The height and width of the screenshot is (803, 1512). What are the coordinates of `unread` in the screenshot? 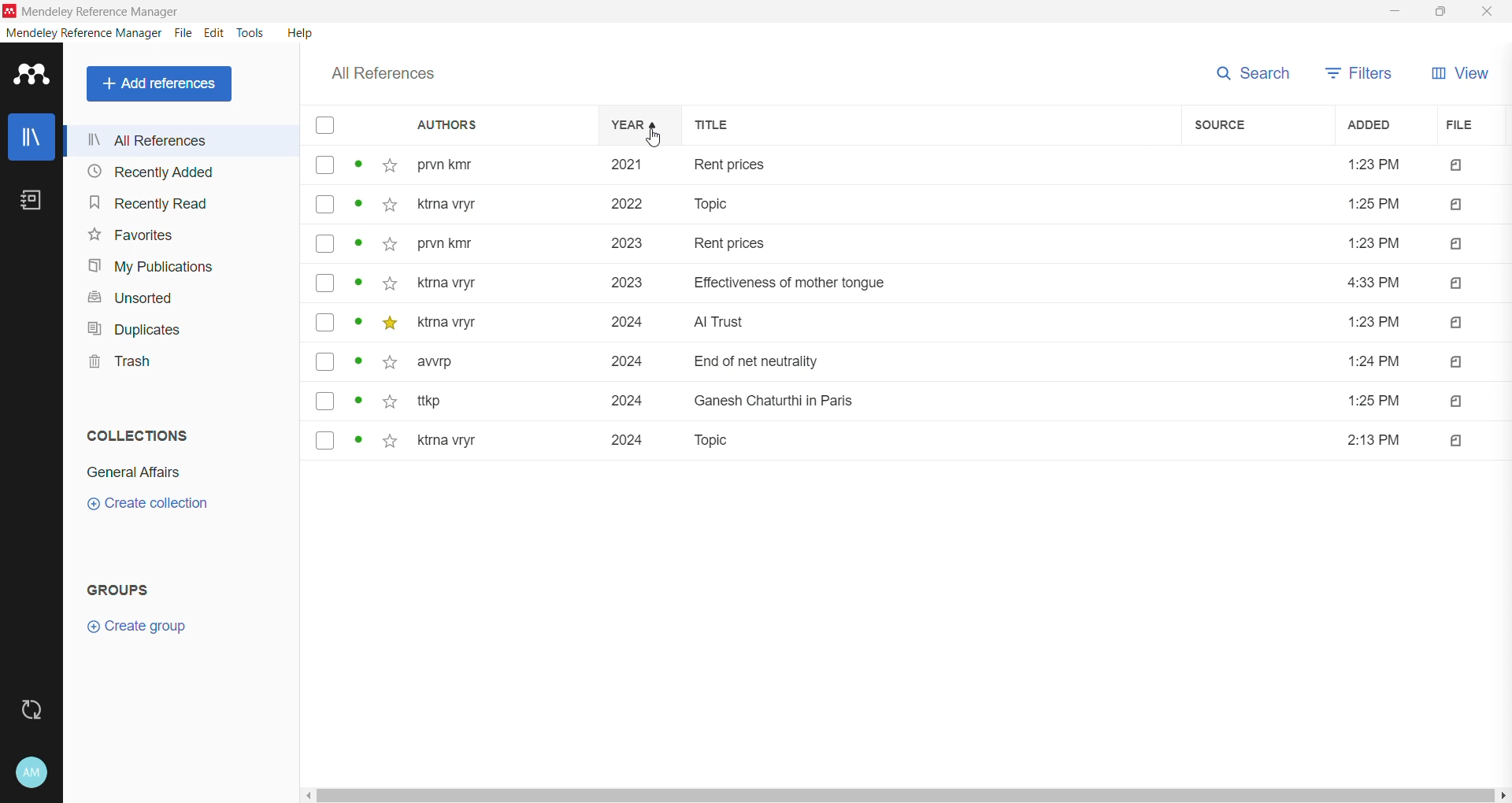 It's located at (358, 398).